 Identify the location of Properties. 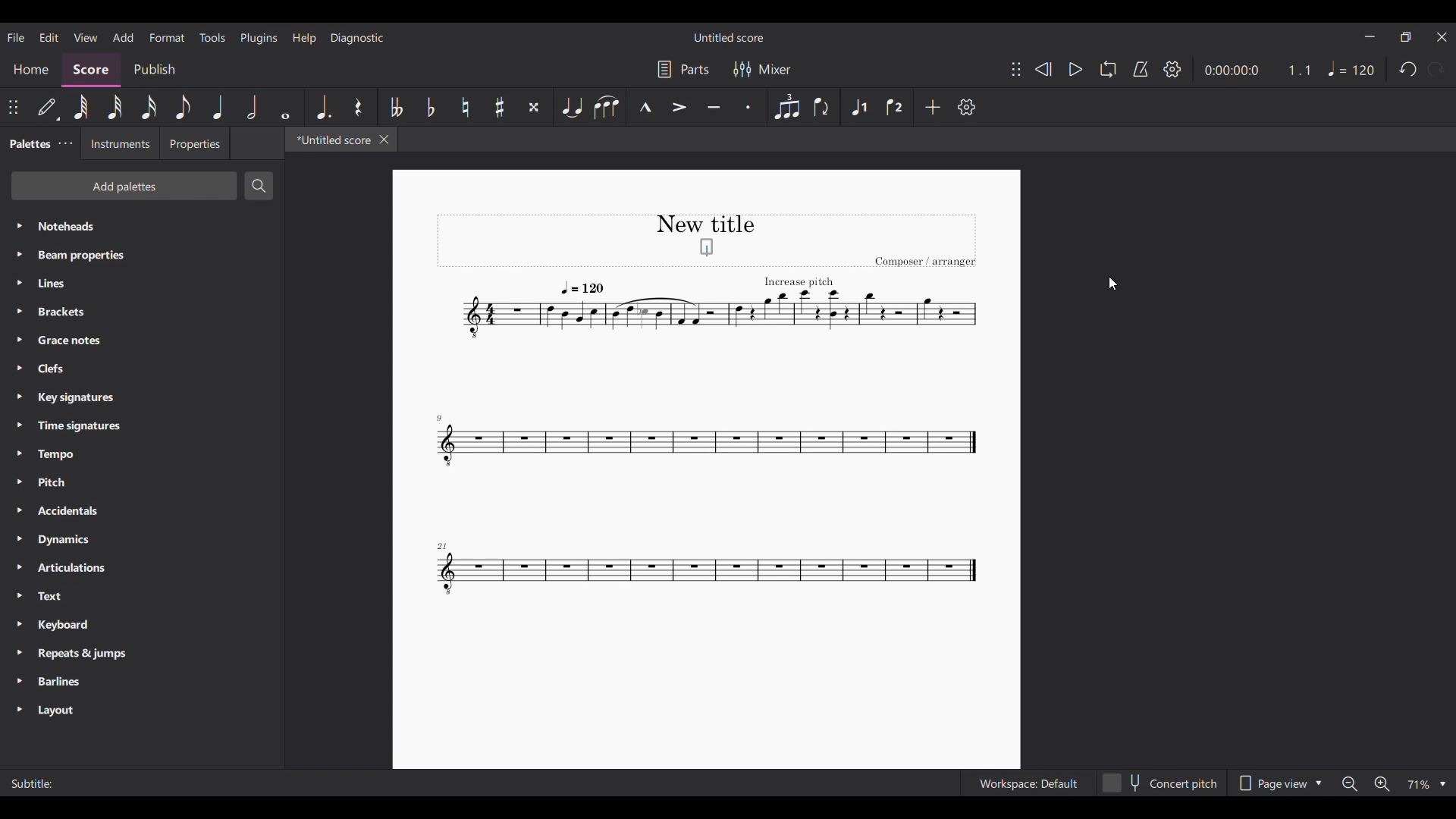
(194, 143).